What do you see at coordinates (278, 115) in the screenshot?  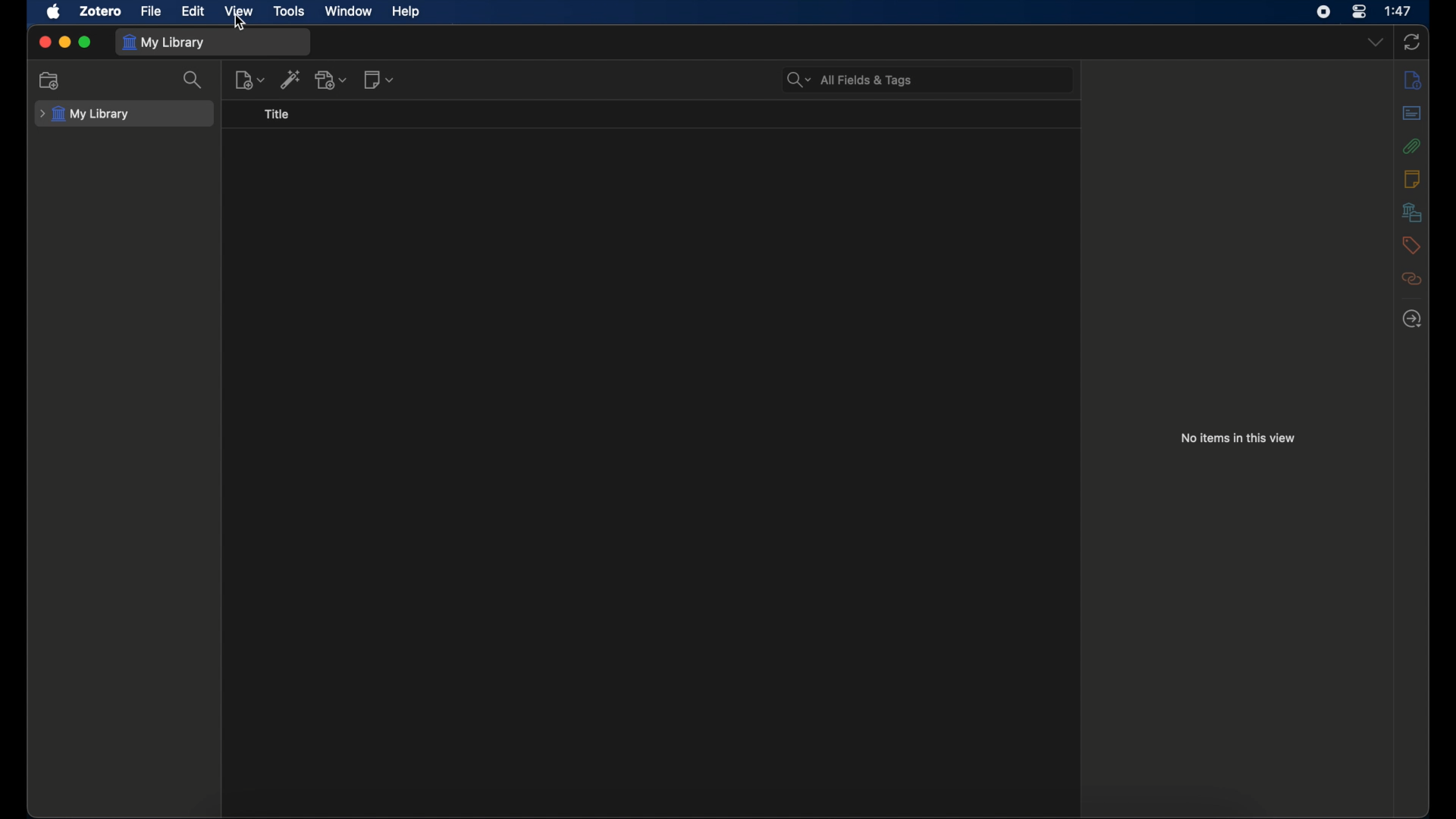 I see `title` at bounding box center [278, 115].